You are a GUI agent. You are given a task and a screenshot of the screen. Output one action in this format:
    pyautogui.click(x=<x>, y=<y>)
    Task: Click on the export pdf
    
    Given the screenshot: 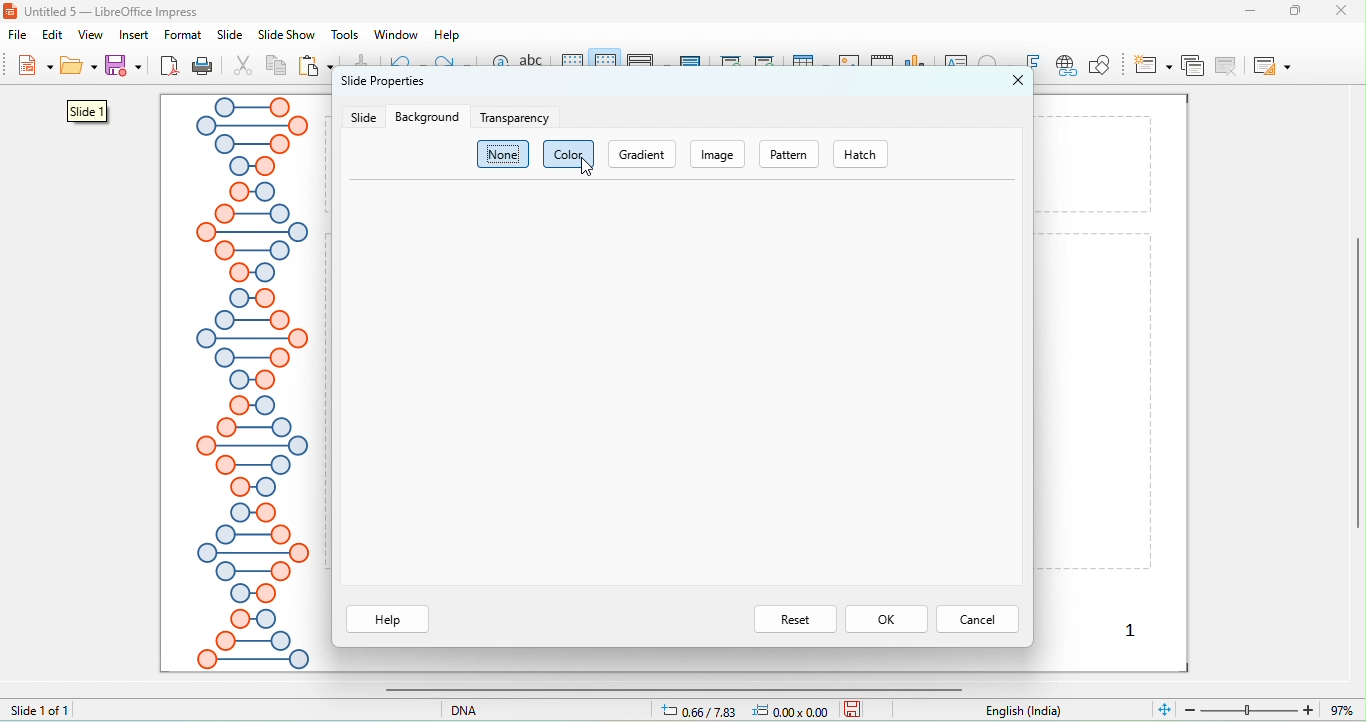 What is the action you would take?
    pyautogui.click(x=170, y=67)
    